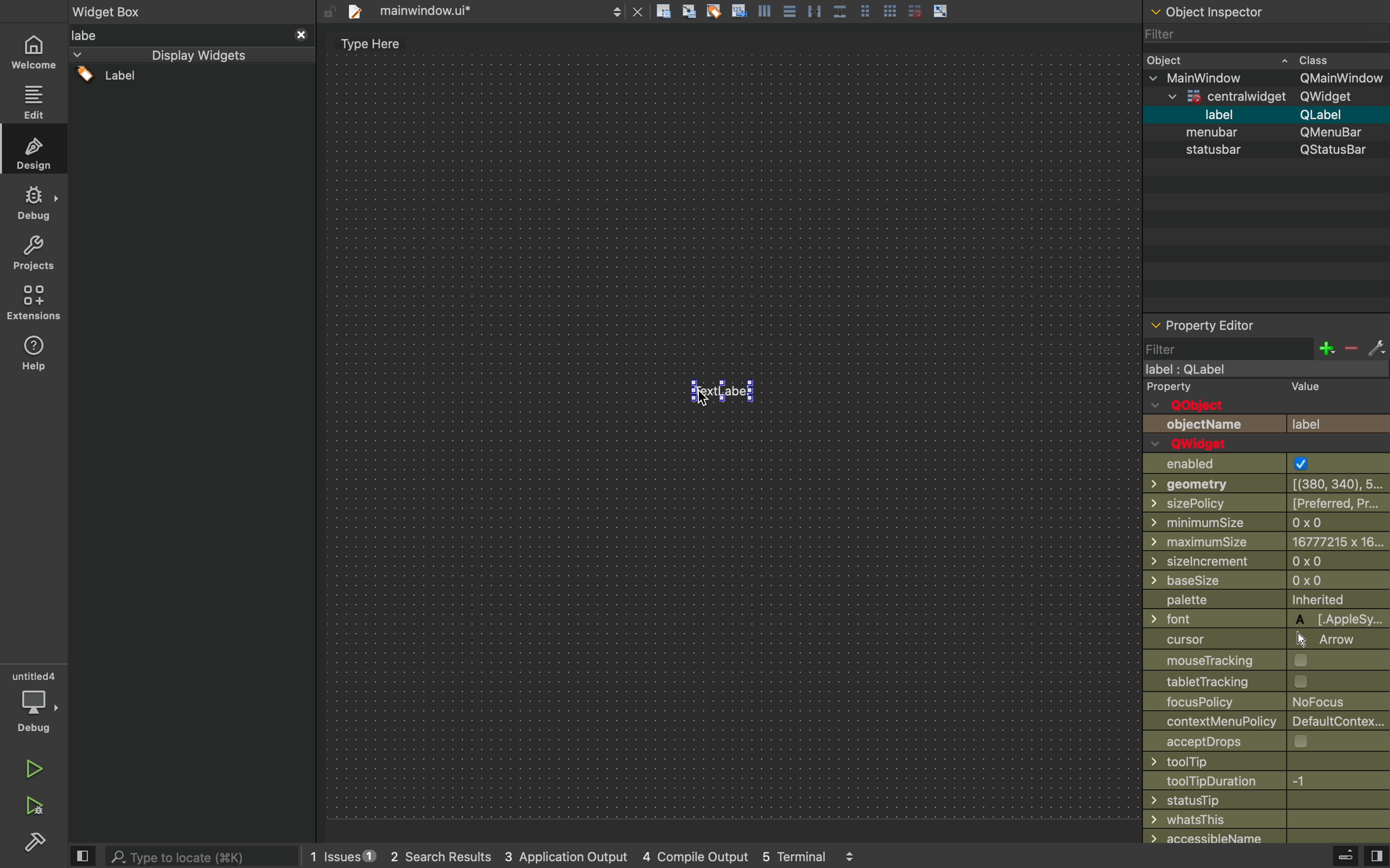 The width and height of the screenshot is (1390, 868). Describe the element at coordinates (1300, 388) in the screenshot. I see `value` at that location.